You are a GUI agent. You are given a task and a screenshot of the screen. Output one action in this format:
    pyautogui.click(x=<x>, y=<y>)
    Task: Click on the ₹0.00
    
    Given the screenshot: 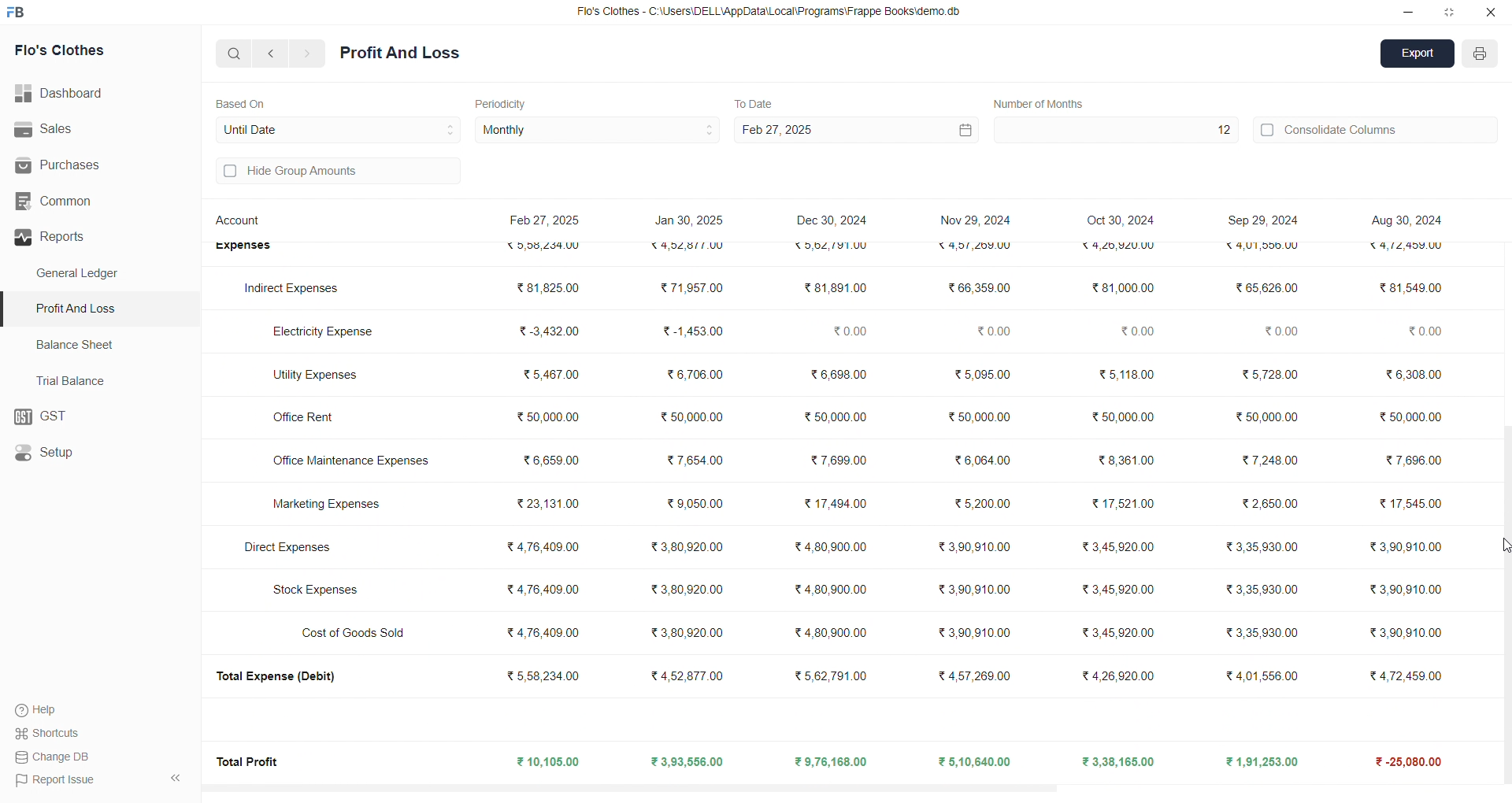 What is the action you would take?
    pyautogui.click(x=1136, y=331)
    